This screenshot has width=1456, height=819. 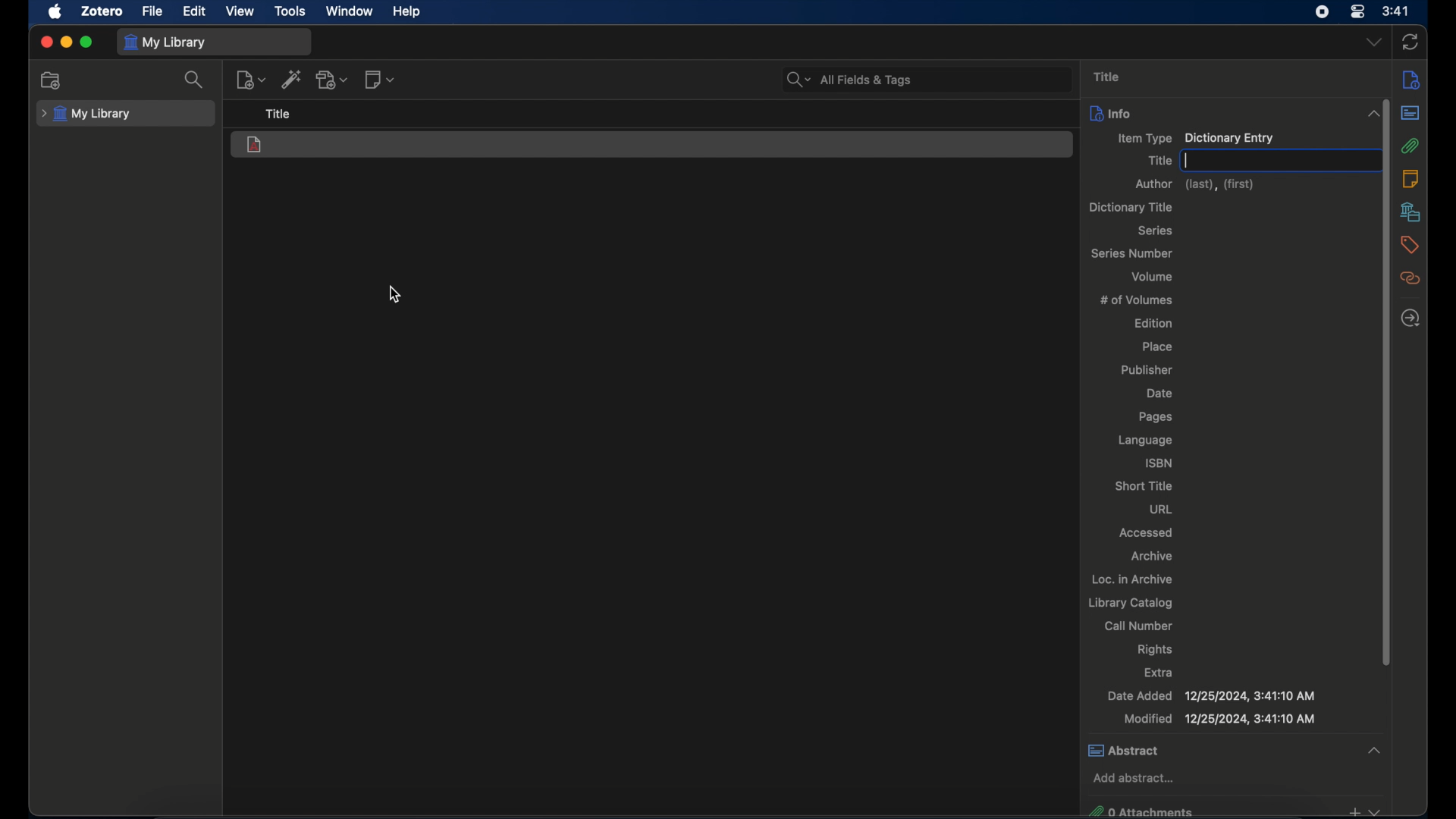 What do you see at coordinates (1411, 146) in the screenshot?
I see `attachments` at bounding box center [1411, 146].